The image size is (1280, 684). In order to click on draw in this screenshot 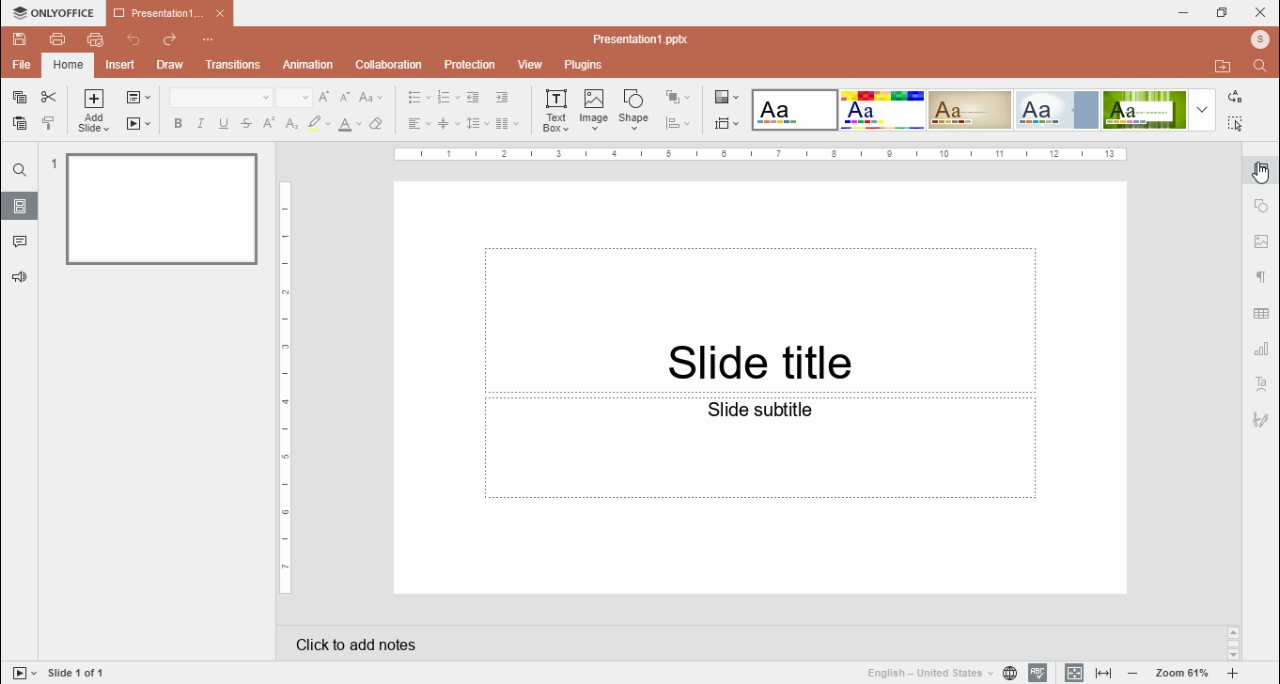, I will do `click(169, 65)`.